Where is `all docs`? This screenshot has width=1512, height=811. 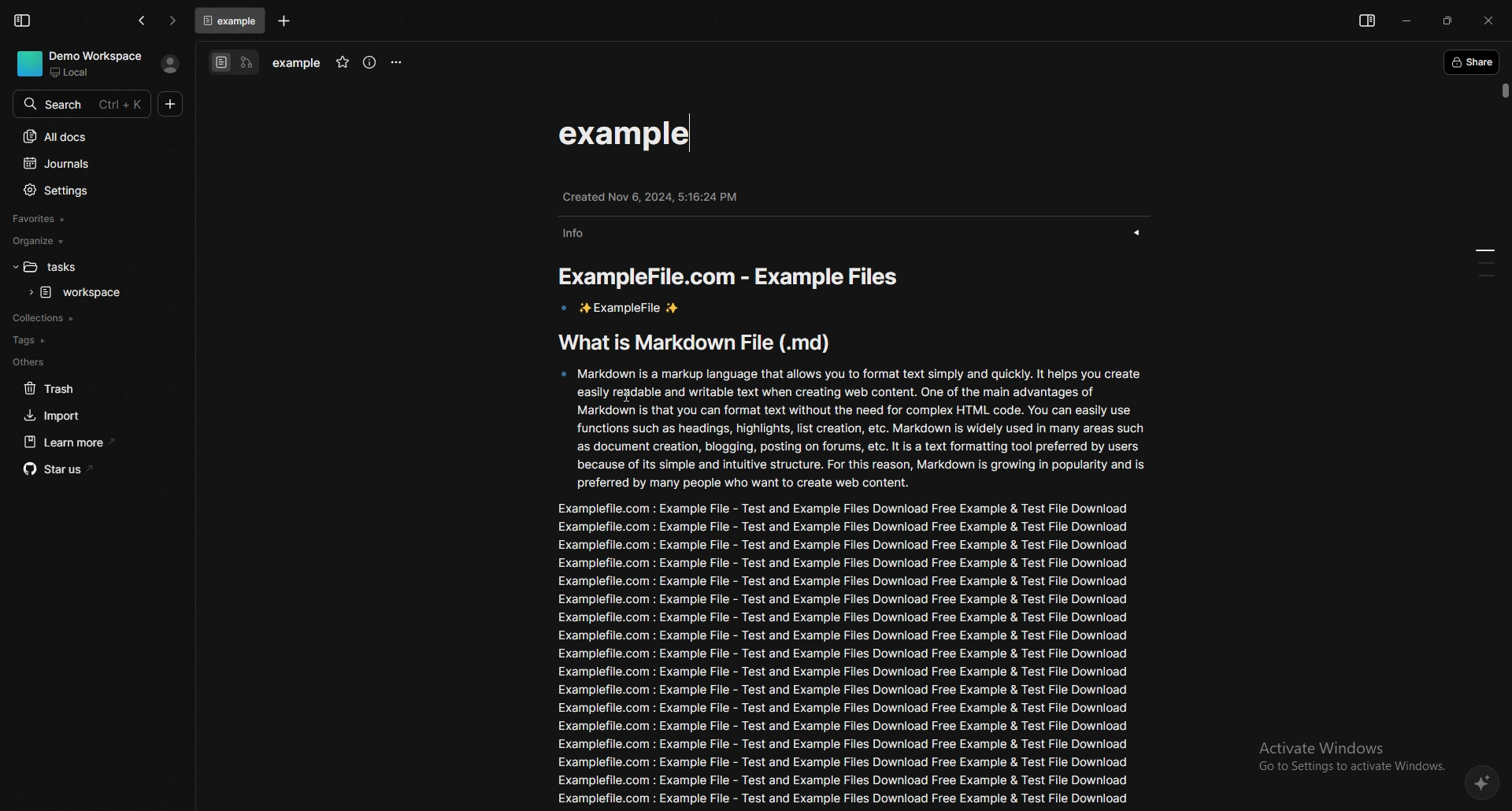
all docs is located at coordinates (90, 136).